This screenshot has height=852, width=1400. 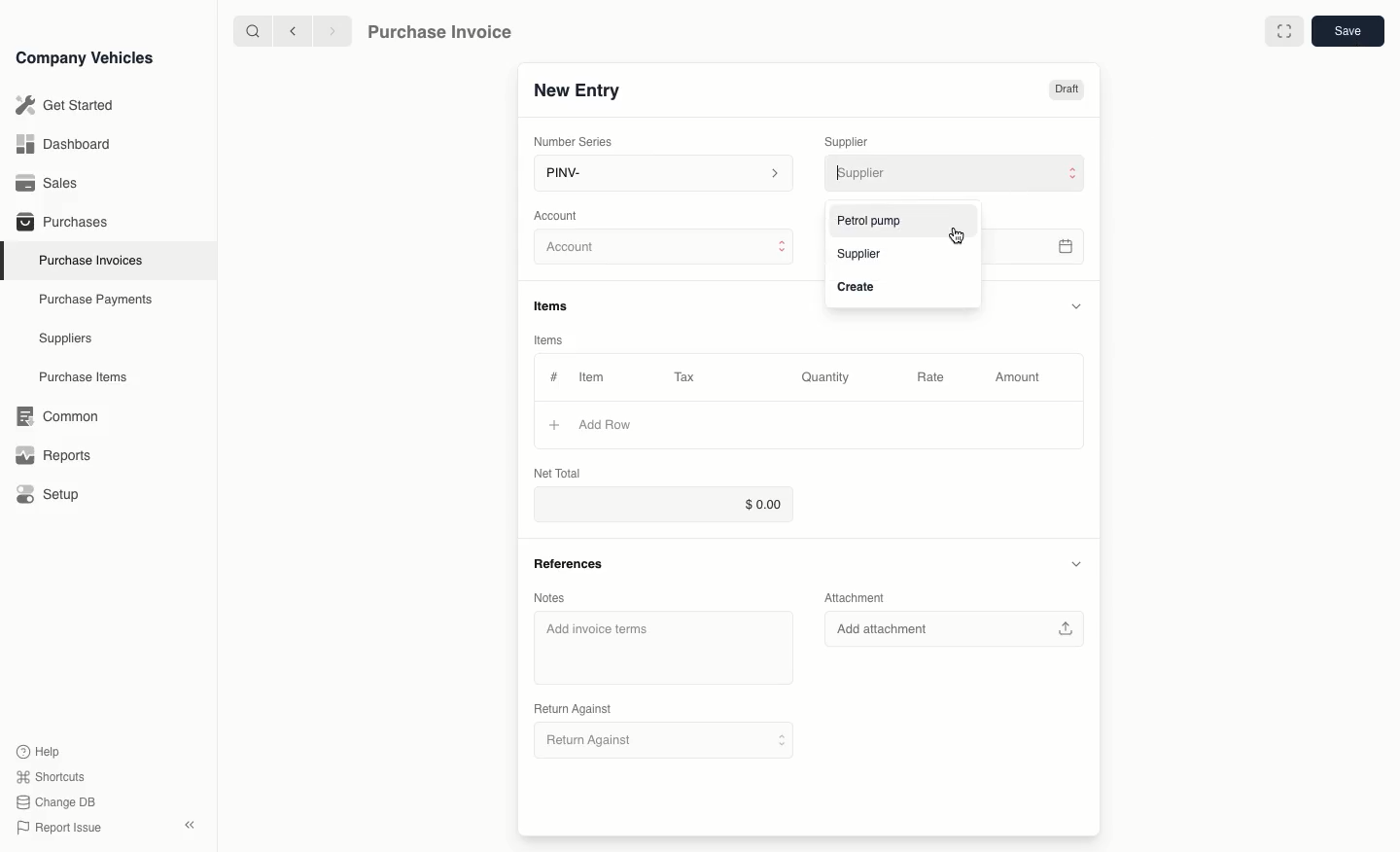 I want to click on Rate, so click(x=932, y=377).